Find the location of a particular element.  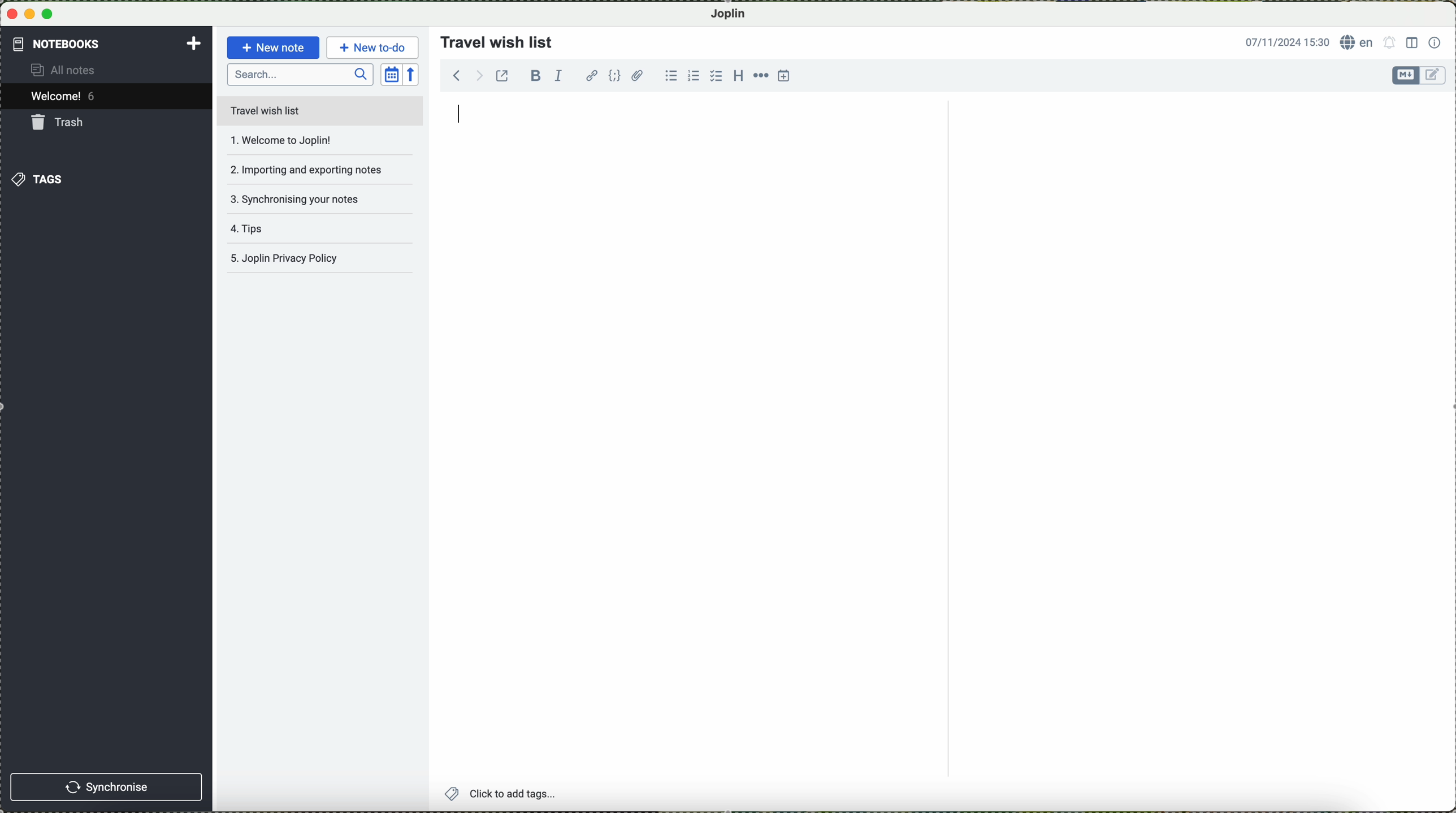

hyperlink is located at coordinates (591, 75).